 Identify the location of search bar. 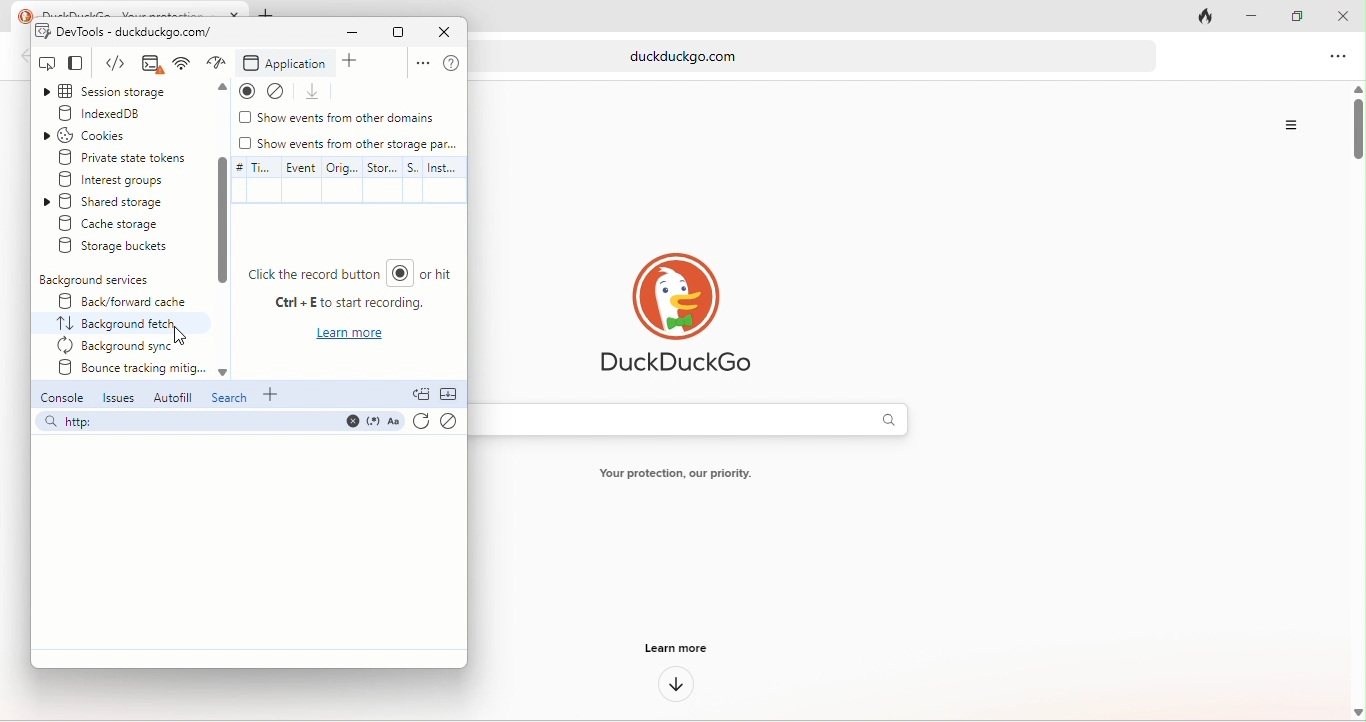
(218, 424).